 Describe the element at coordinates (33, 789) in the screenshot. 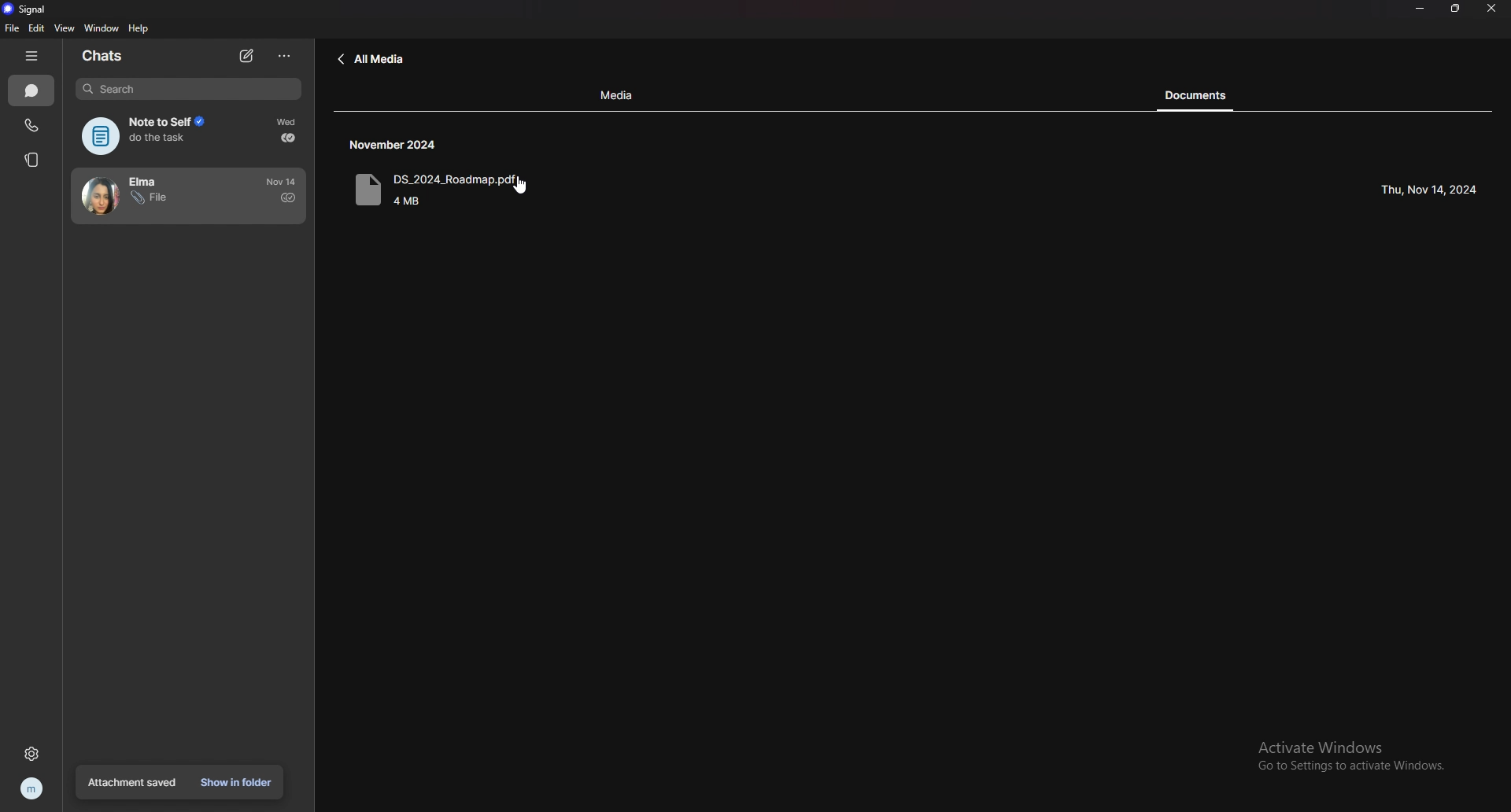

I see `profile` at that location.